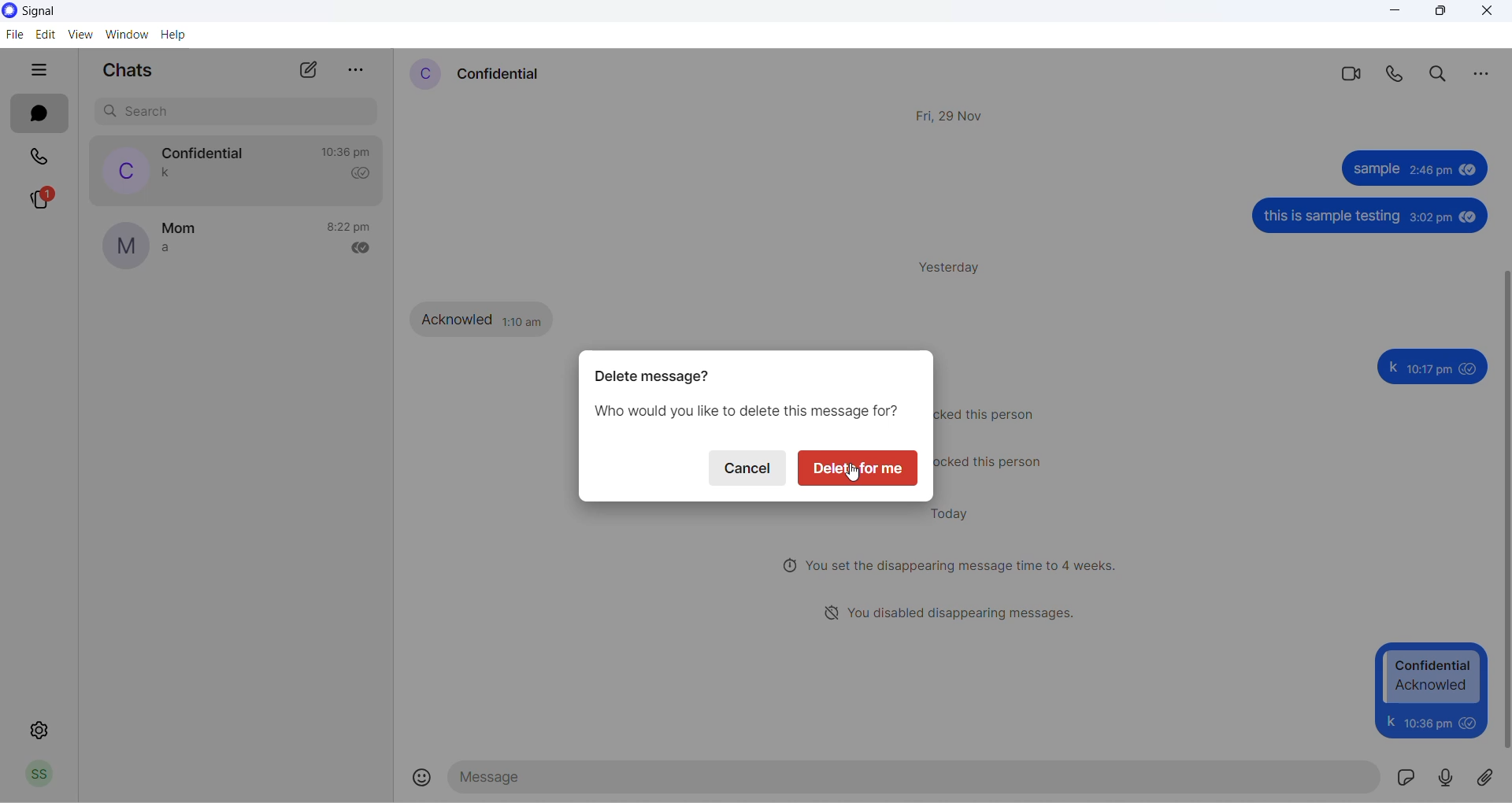 This screenshot has width=1512, height=803. Describe the element at coordinates (1433, 676) in the screenshot. I see `Confidential Acknowled` at that location.